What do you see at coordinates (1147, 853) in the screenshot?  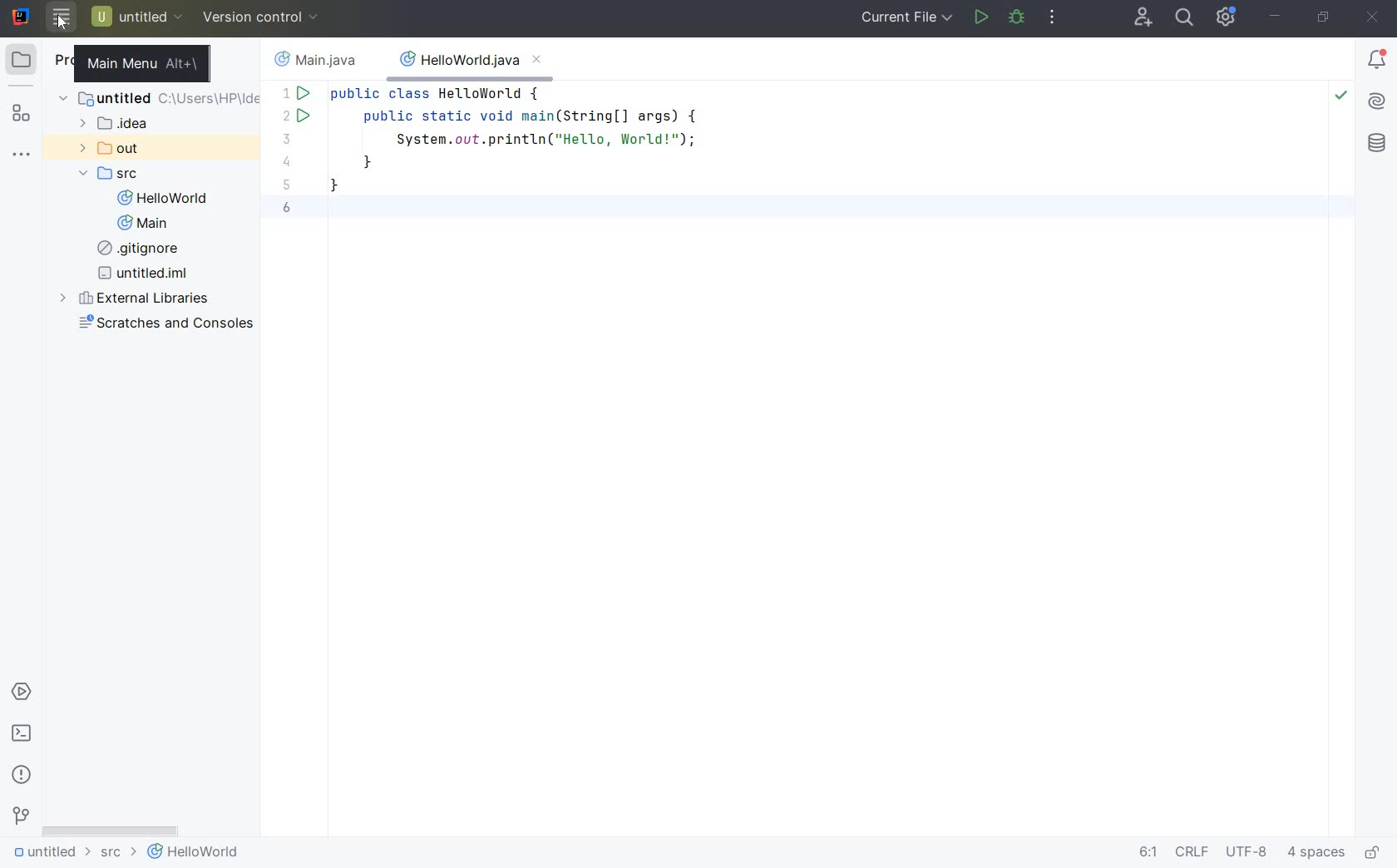 I see `go to line` at bounding box center [1147, 853].